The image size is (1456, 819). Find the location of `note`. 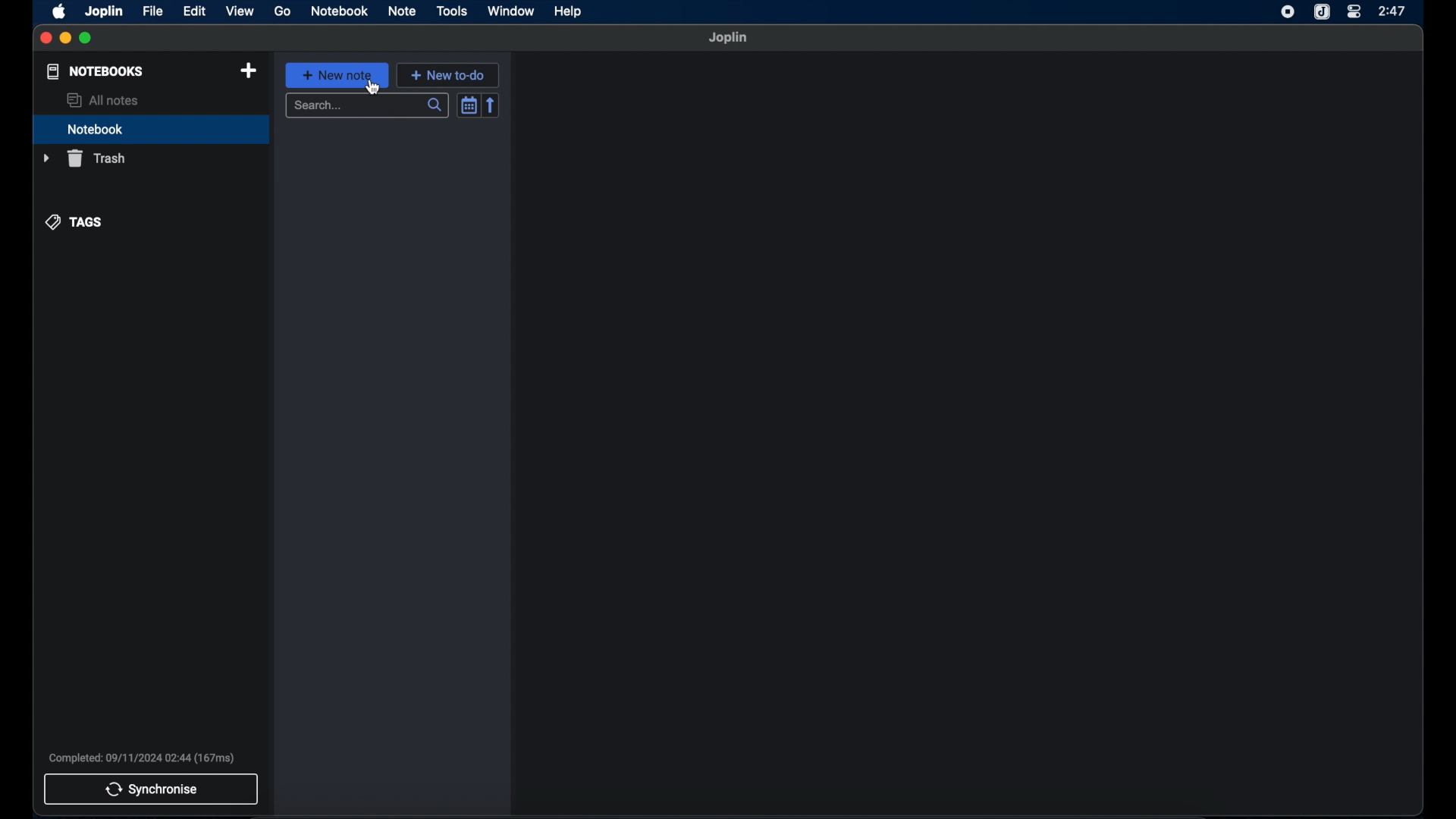

note is located at coordinates (401, 11).